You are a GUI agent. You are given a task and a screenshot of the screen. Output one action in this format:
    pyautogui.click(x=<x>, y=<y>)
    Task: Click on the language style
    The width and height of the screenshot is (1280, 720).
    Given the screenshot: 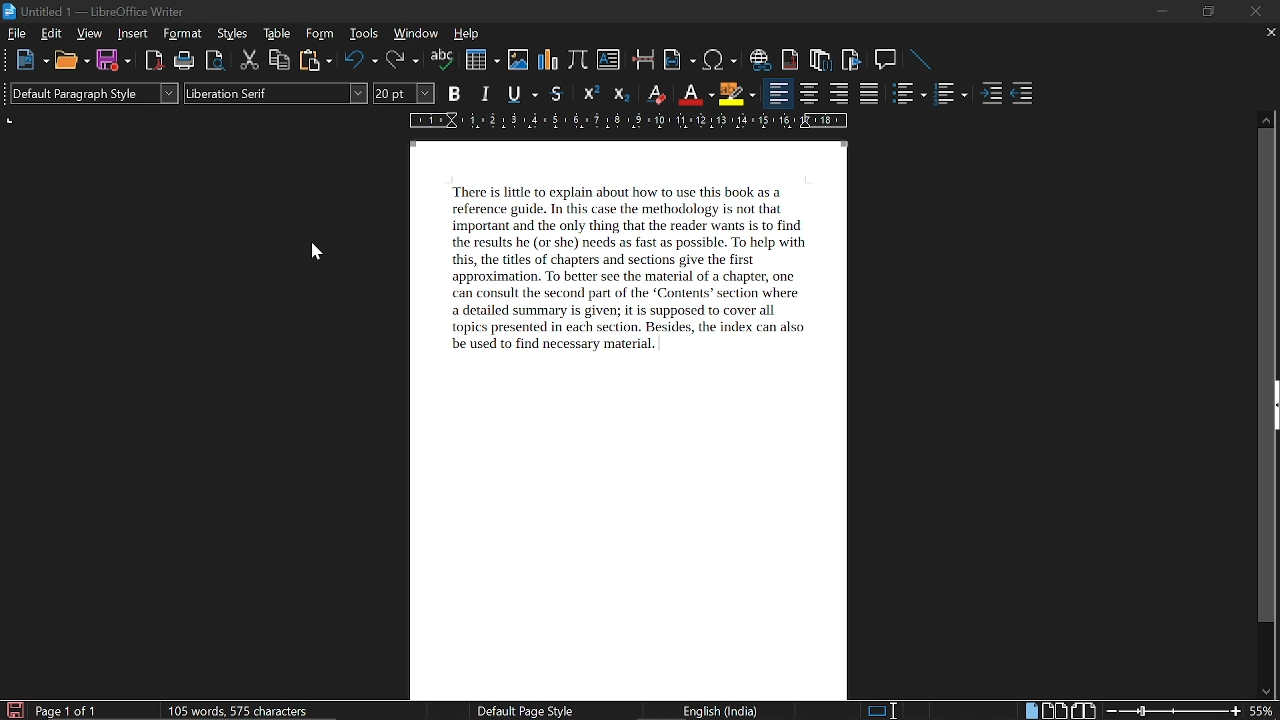 What is the action you would take?
    pyautogui.click(x=724, y=711)
    